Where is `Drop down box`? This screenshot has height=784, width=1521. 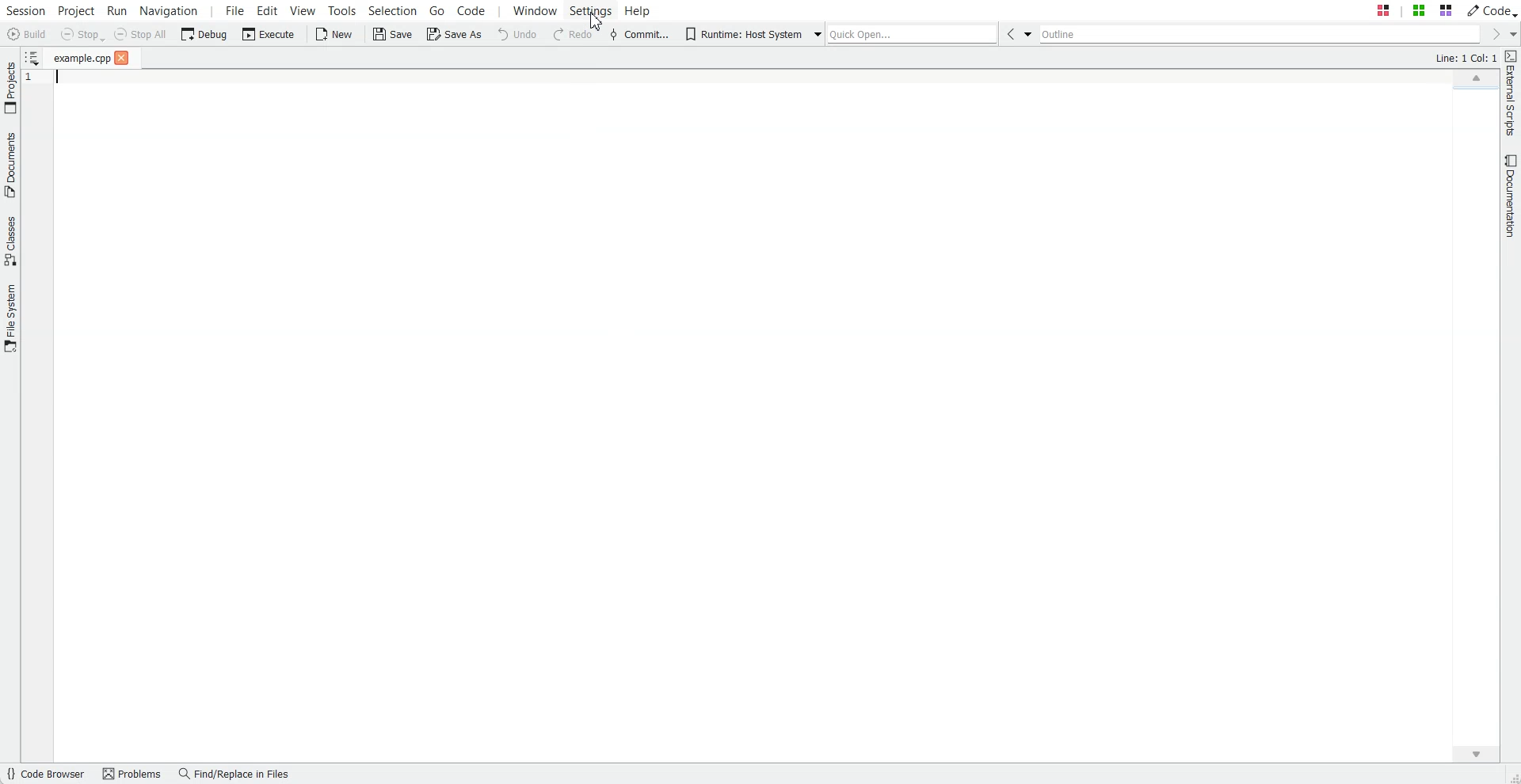 Drop down box is located at coordinates (1511, 34).